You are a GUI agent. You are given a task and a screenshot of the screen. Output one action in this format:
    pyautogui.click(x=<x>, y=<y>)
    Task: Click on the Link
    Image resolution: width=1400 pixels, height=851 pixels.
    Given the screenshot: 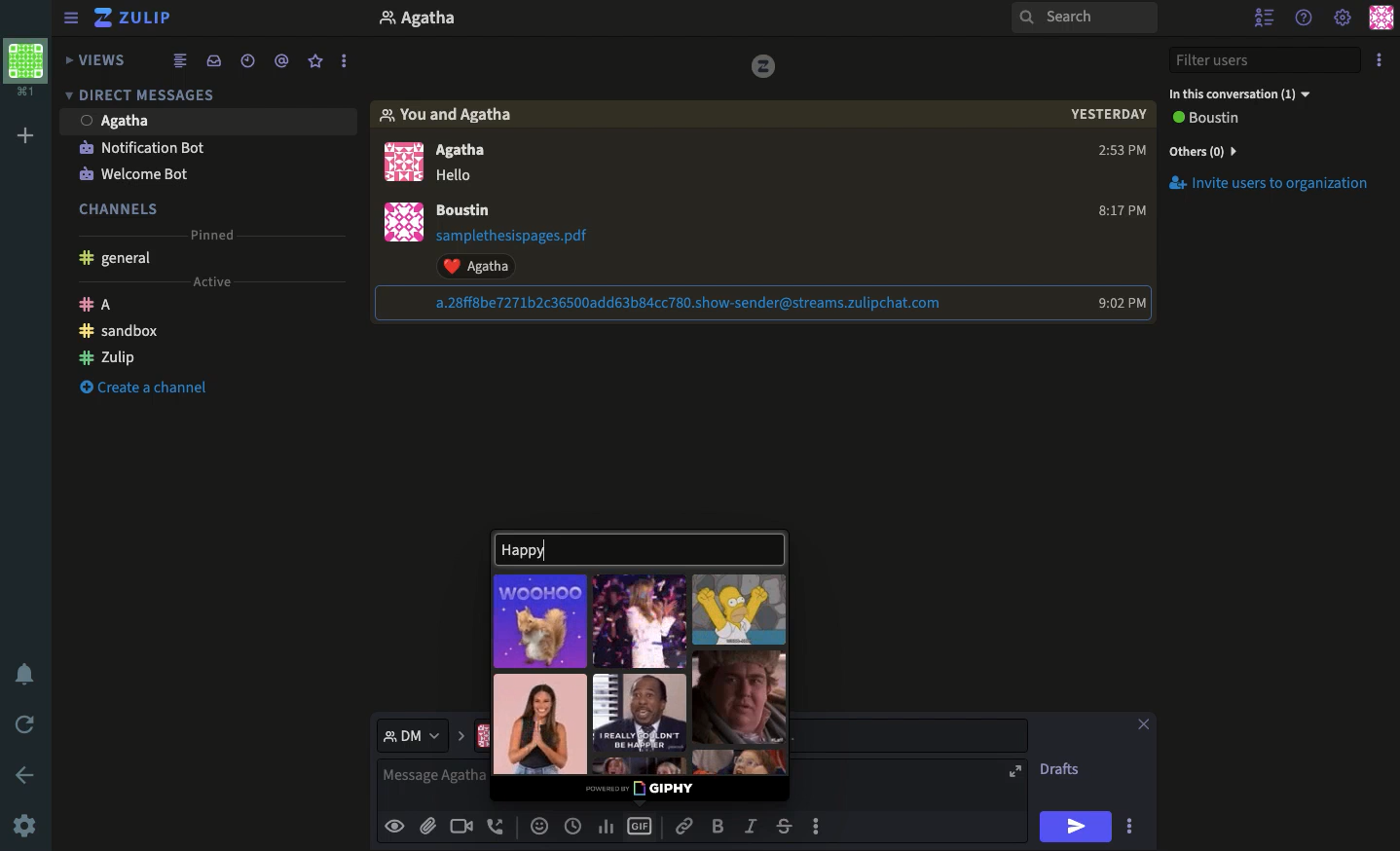 What is the action you would take?
    pyautogui.click(x=687, y=827)
    